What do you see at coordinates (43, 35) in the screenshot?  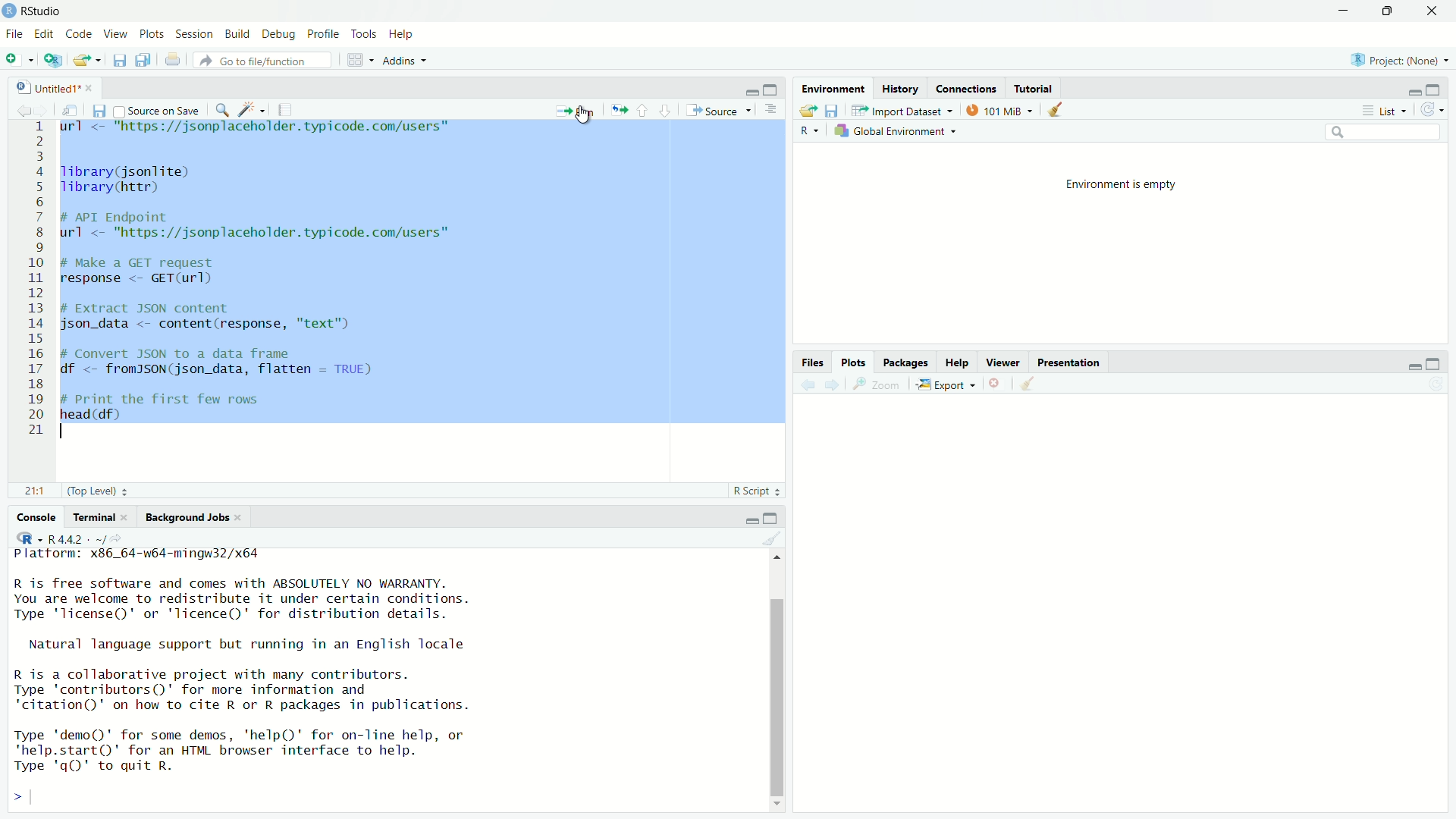 I see `Edit` at bounding box center [43, 35].